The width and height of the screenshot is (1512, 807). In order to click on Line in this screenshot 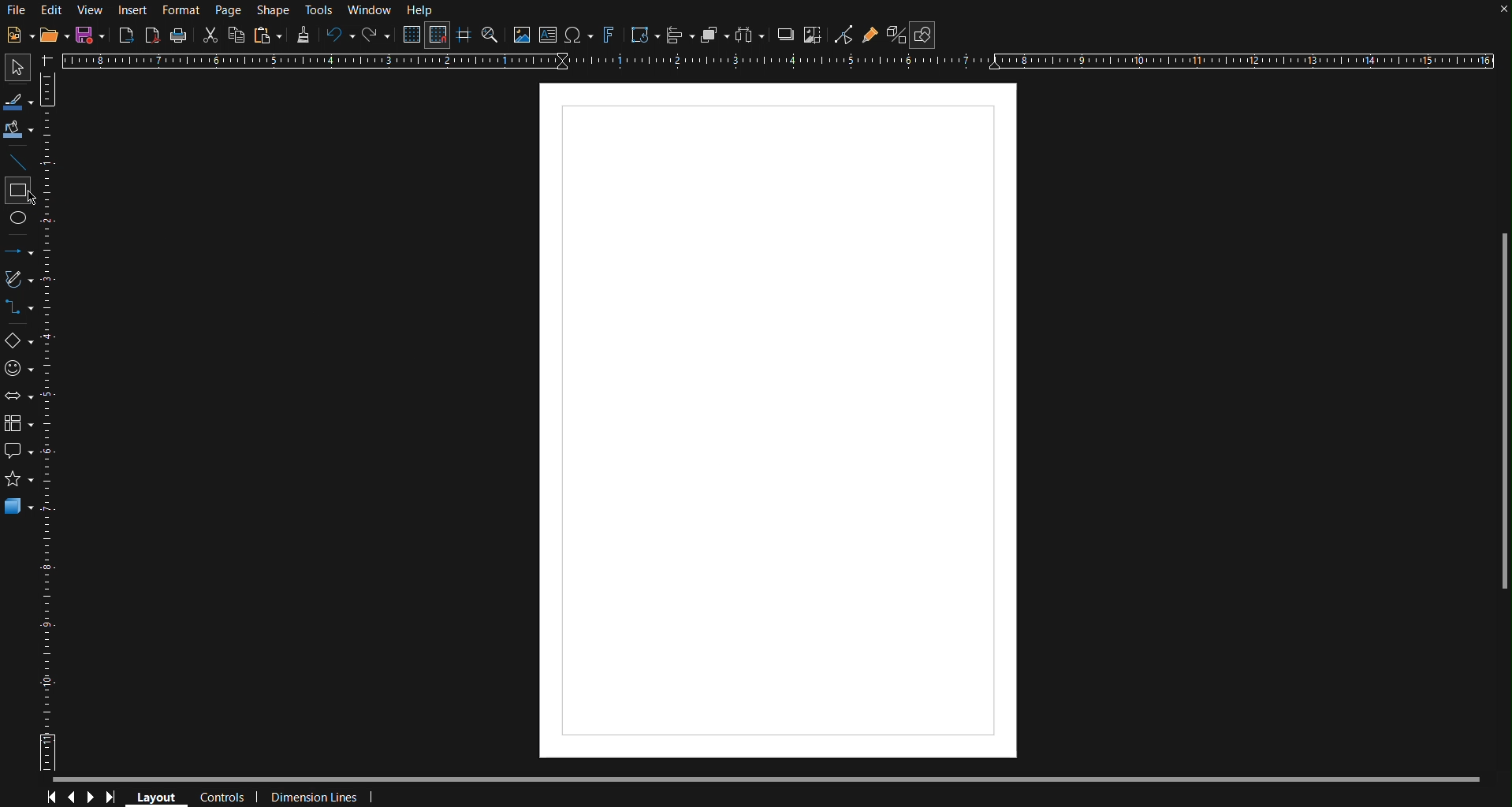, I will do `click(18, 161)`.